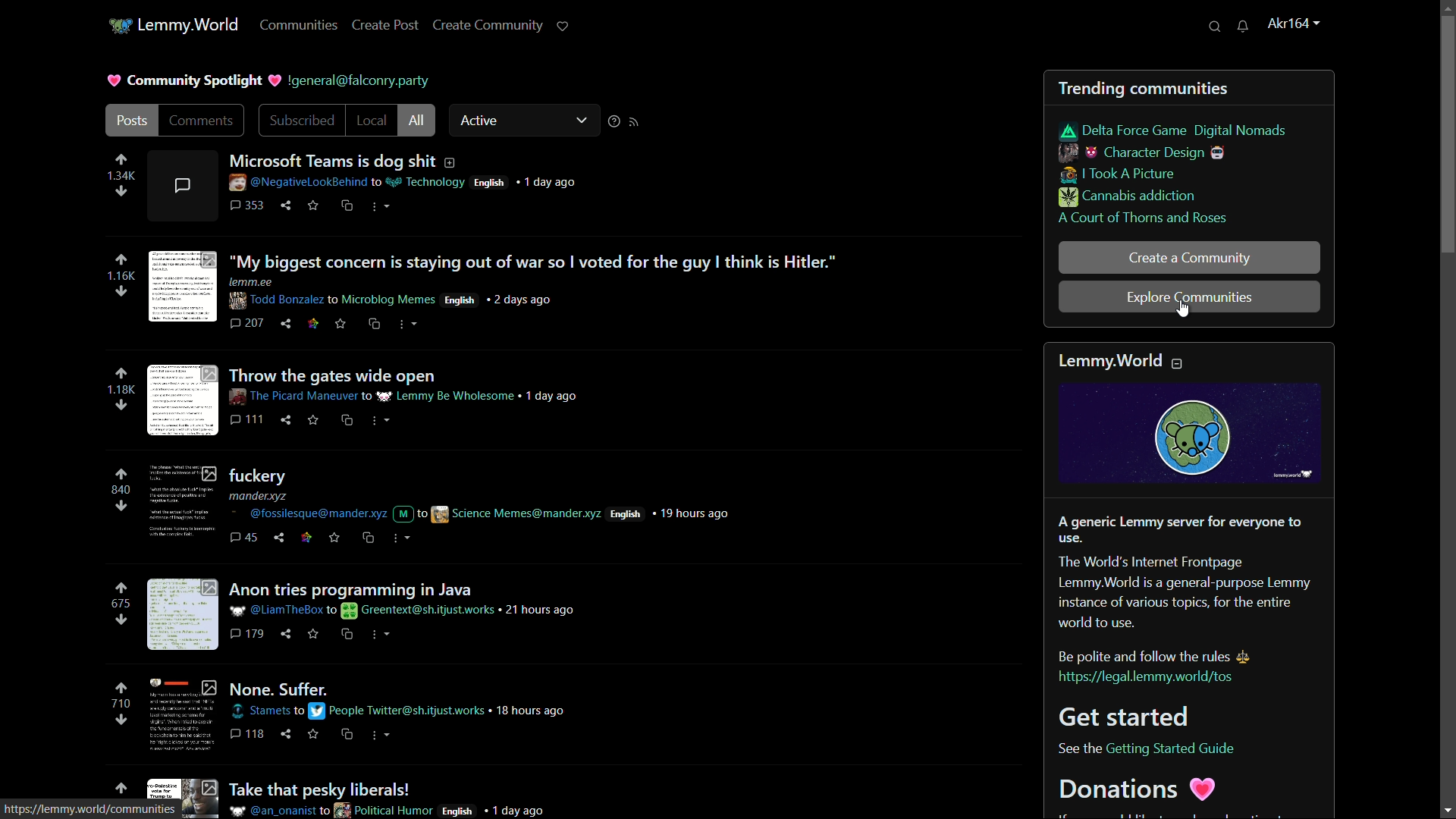  I want to click on upvote, so click(122, 689).